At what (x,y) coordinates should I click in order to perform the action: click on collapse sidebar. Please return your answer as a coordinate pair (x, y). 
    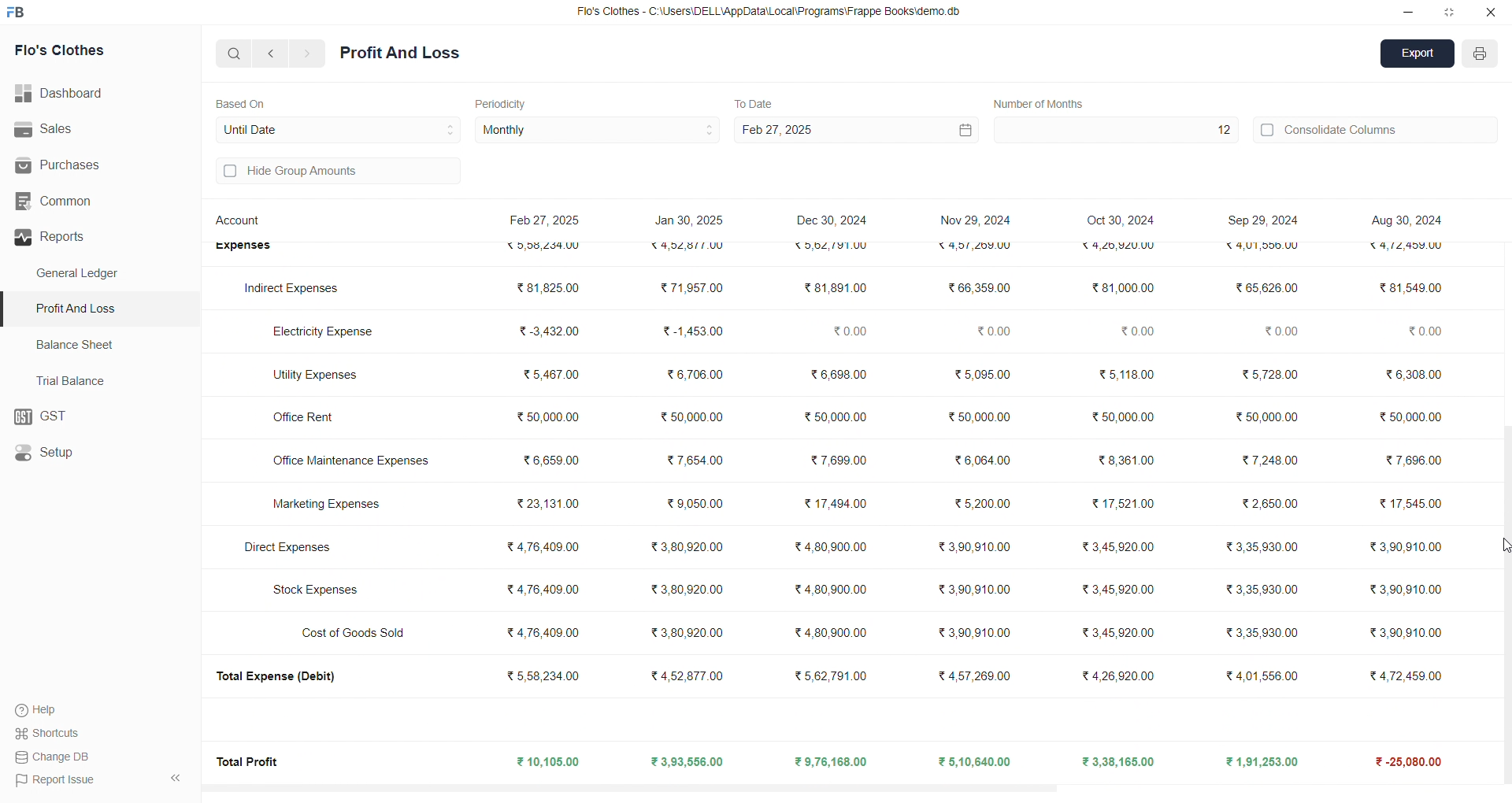
    Looking at the image, I should click on (175, 779).